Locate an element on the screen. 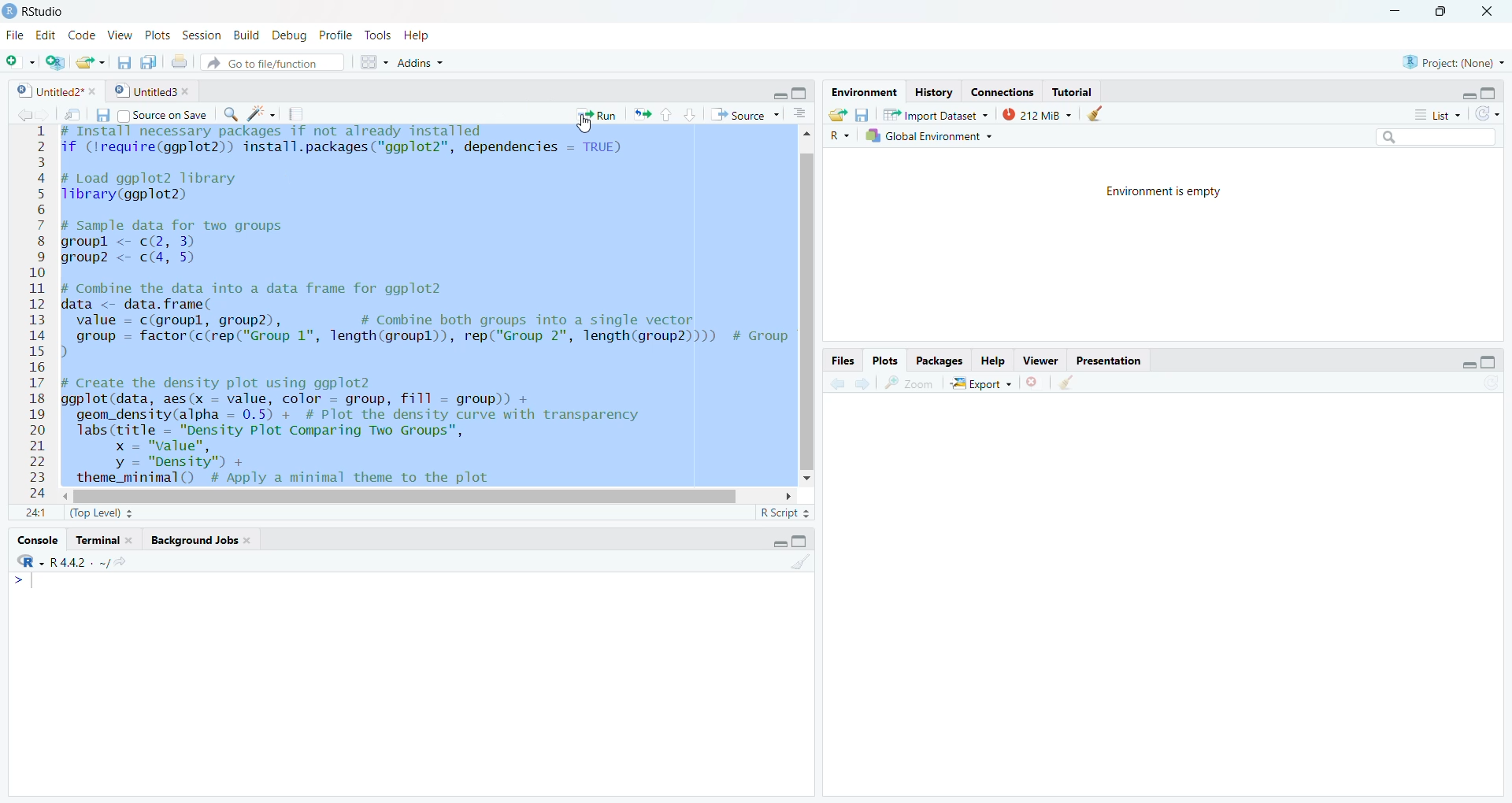  document is located at coordinates (298, 114).